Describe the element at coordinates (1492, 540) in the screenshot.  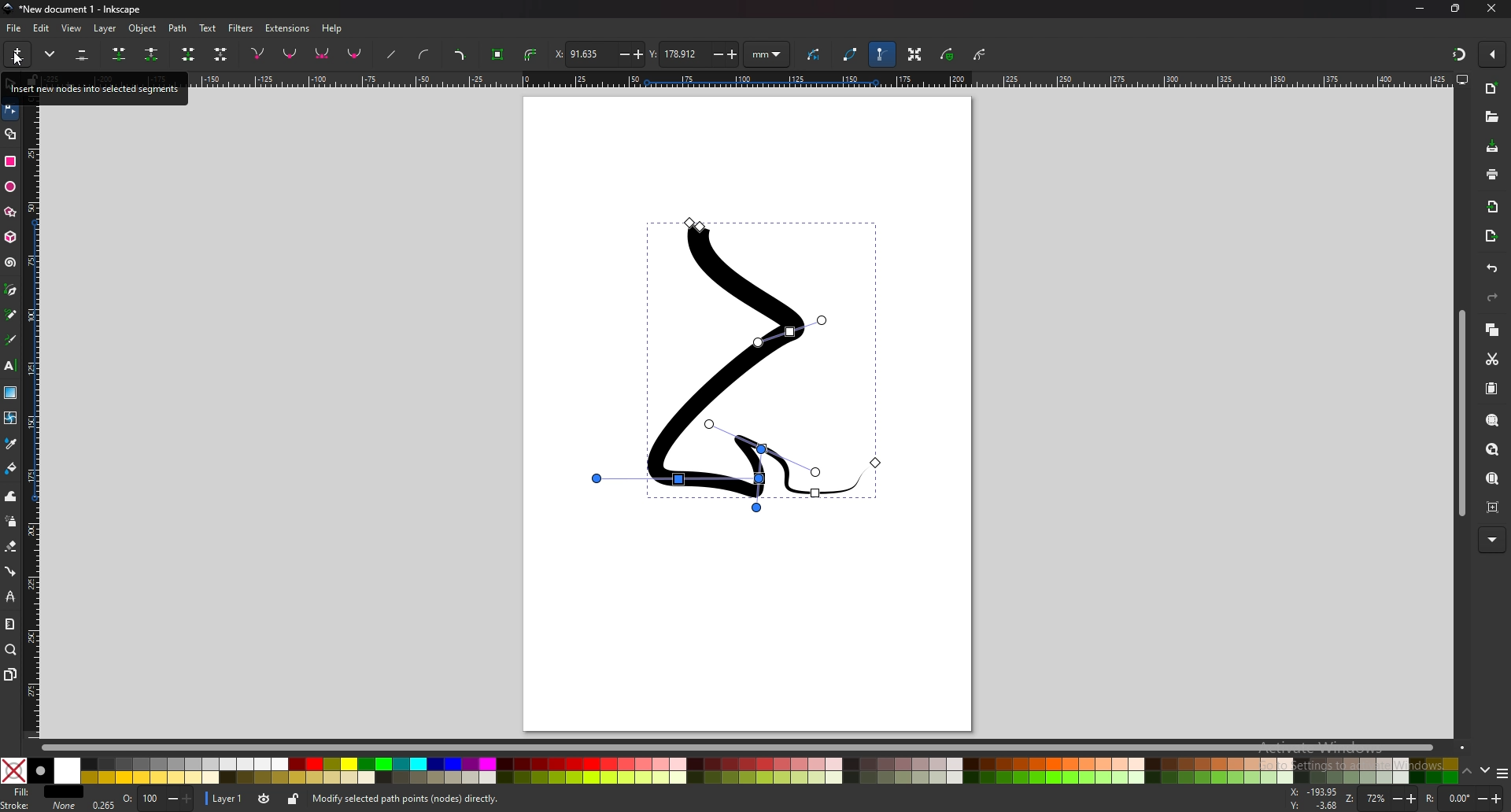
I see `more` at that location.